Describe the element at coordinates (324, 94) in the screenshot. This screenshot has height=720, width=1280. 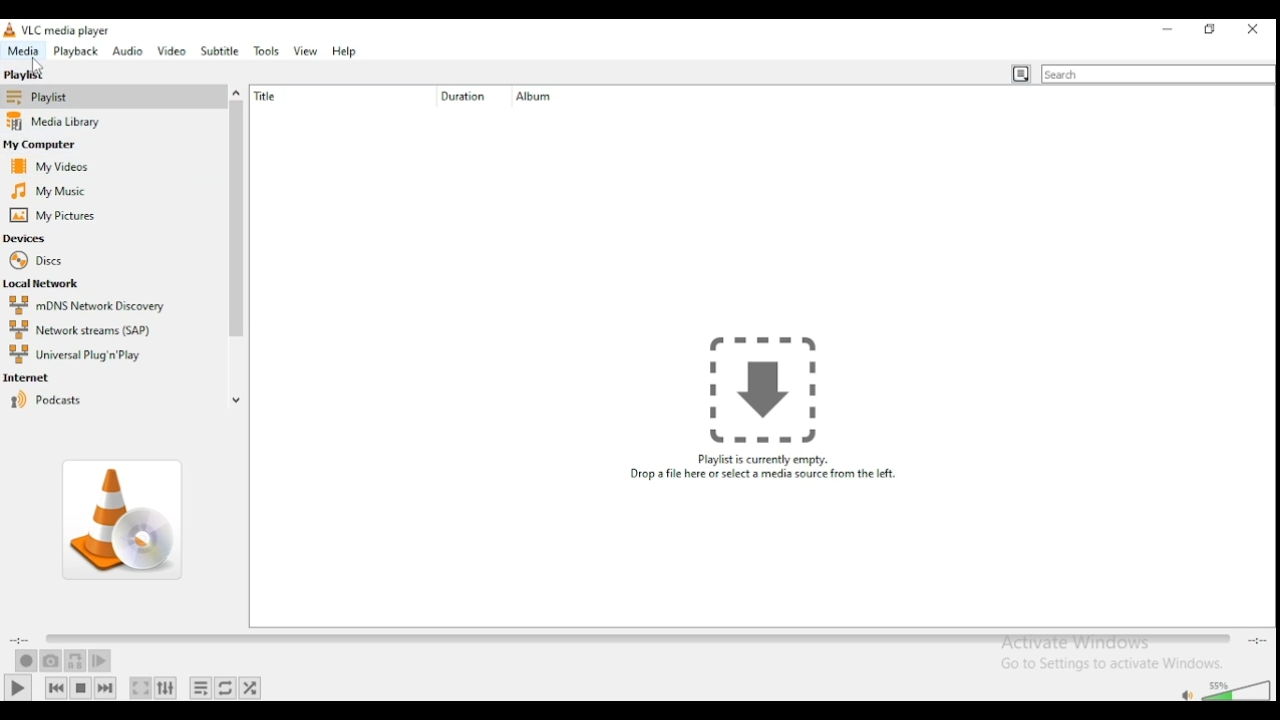
I see `title` at that location.